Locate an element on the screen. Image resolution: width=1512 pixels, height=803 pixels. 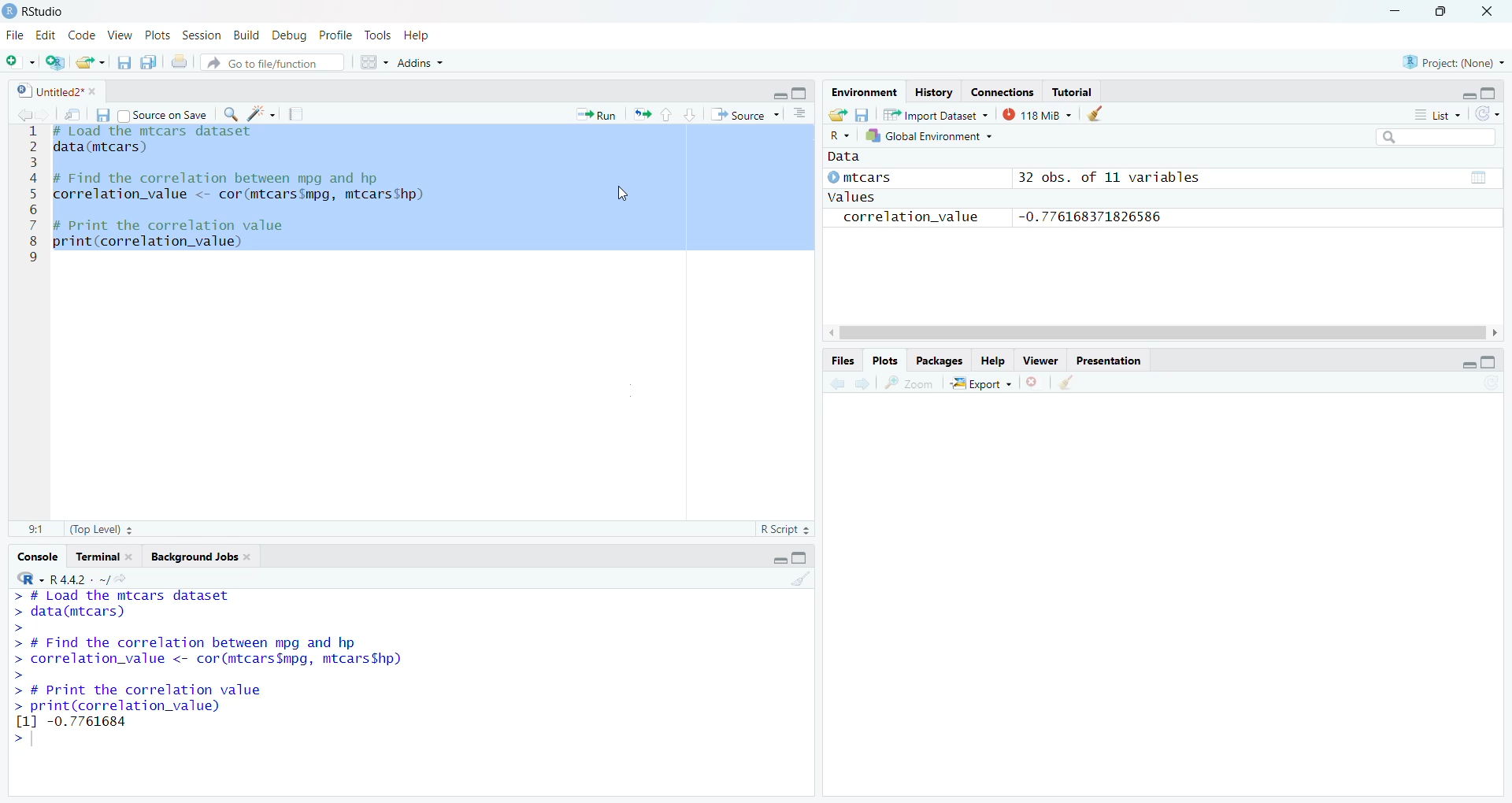
Maximize is located at coordinates (1492, 93).